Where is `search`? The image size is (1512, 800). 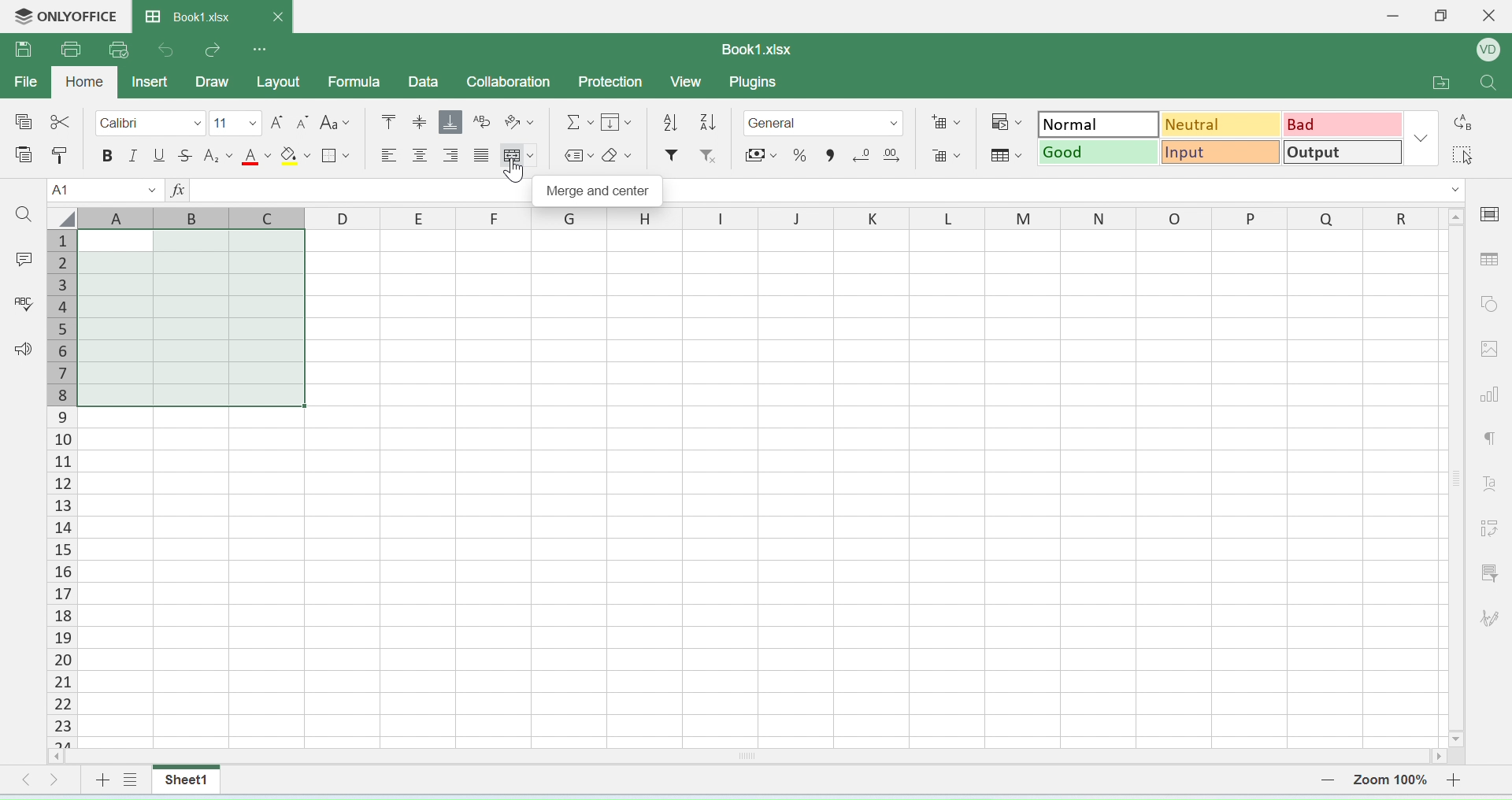 search is located at coordinates (1484, 86).